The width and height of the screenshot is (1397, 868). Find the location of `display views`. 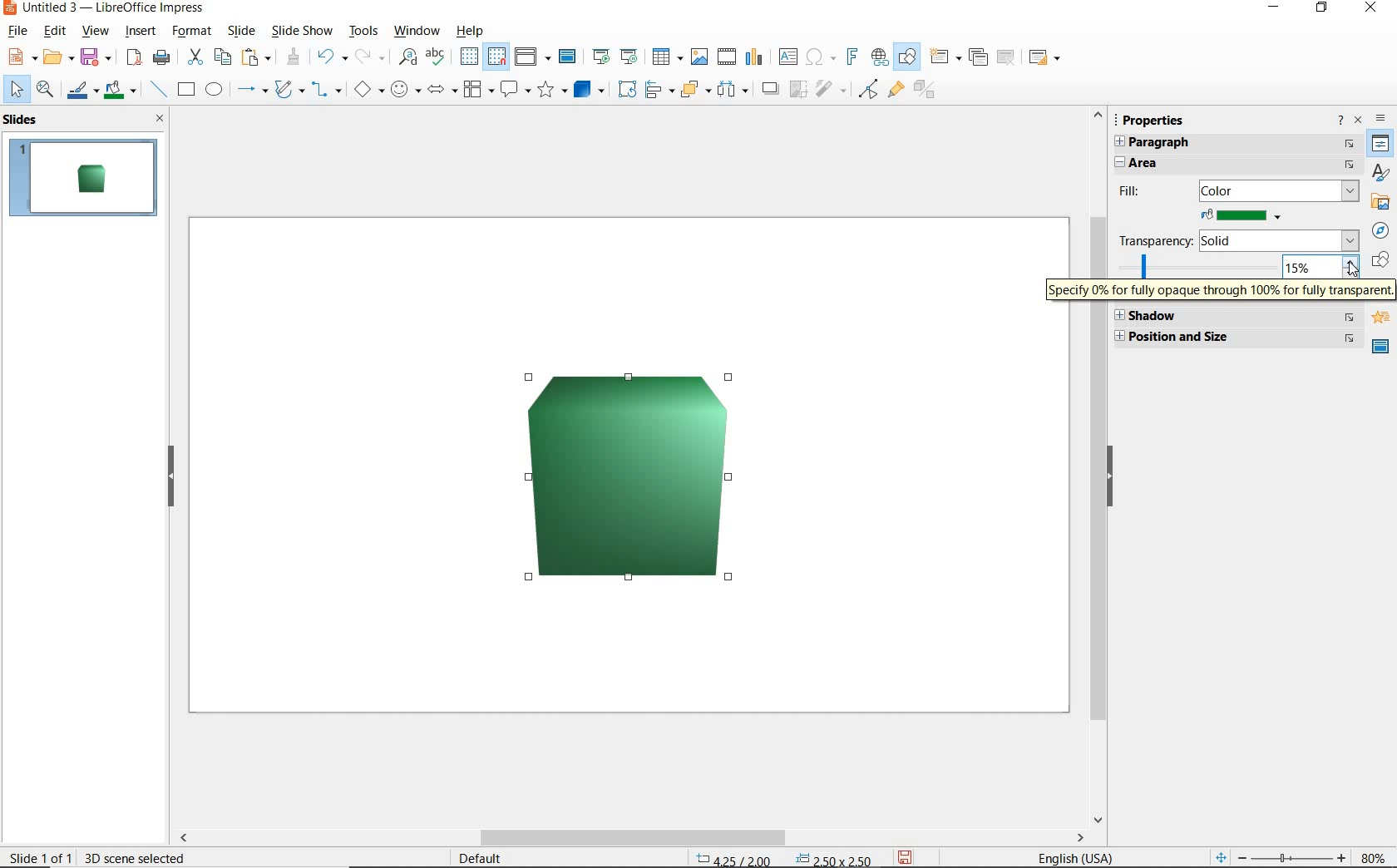

display views is located at coordinates (533, 57).